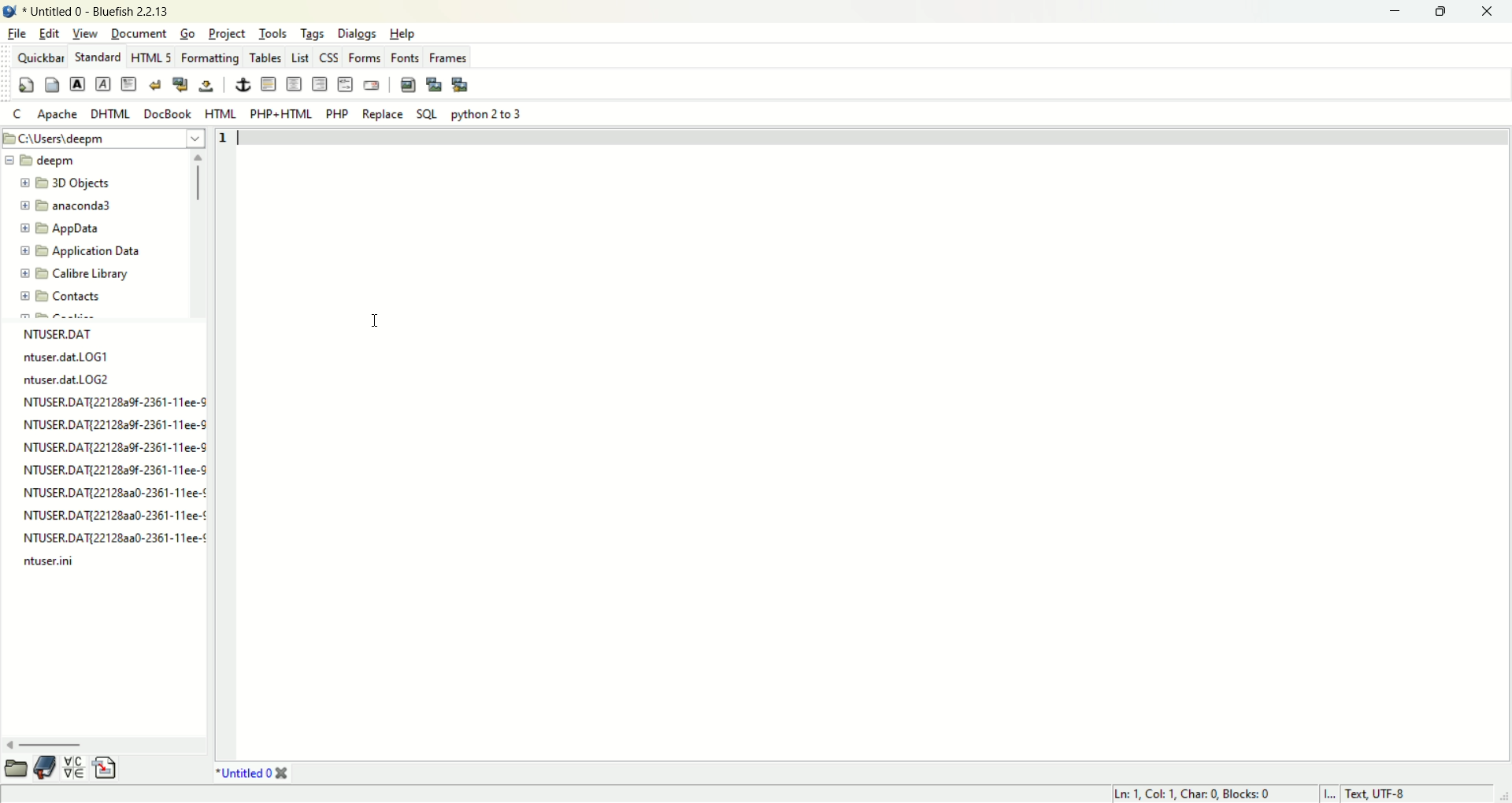 The width and height of the screenshot is (1512, 803). Describe the element at coordinates (209, 60) in the screenshot. I see `formatting` at that location.